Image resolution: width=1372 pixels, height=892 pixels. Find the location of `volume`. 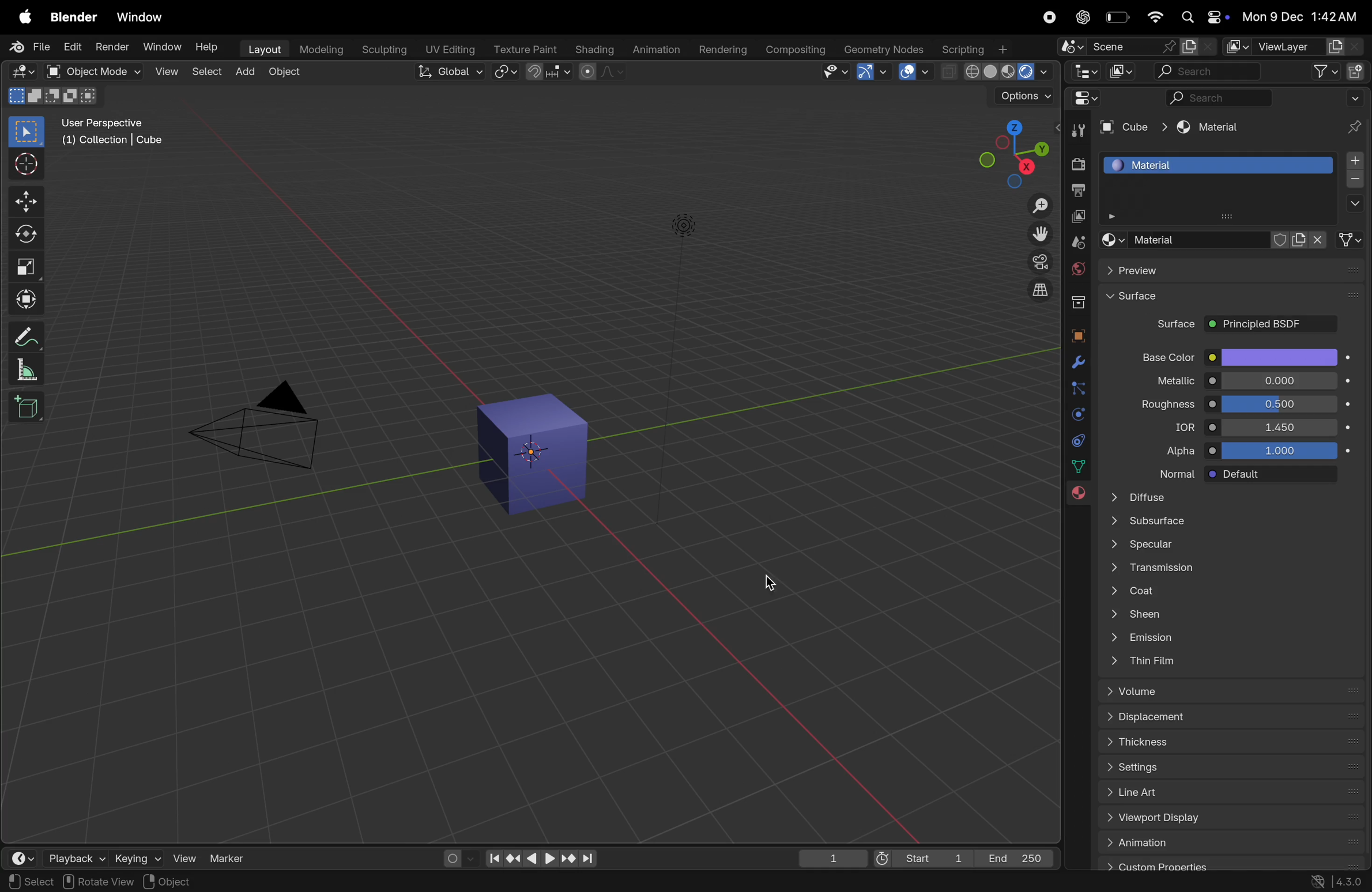

volume is located at coordinates (1227, 691).